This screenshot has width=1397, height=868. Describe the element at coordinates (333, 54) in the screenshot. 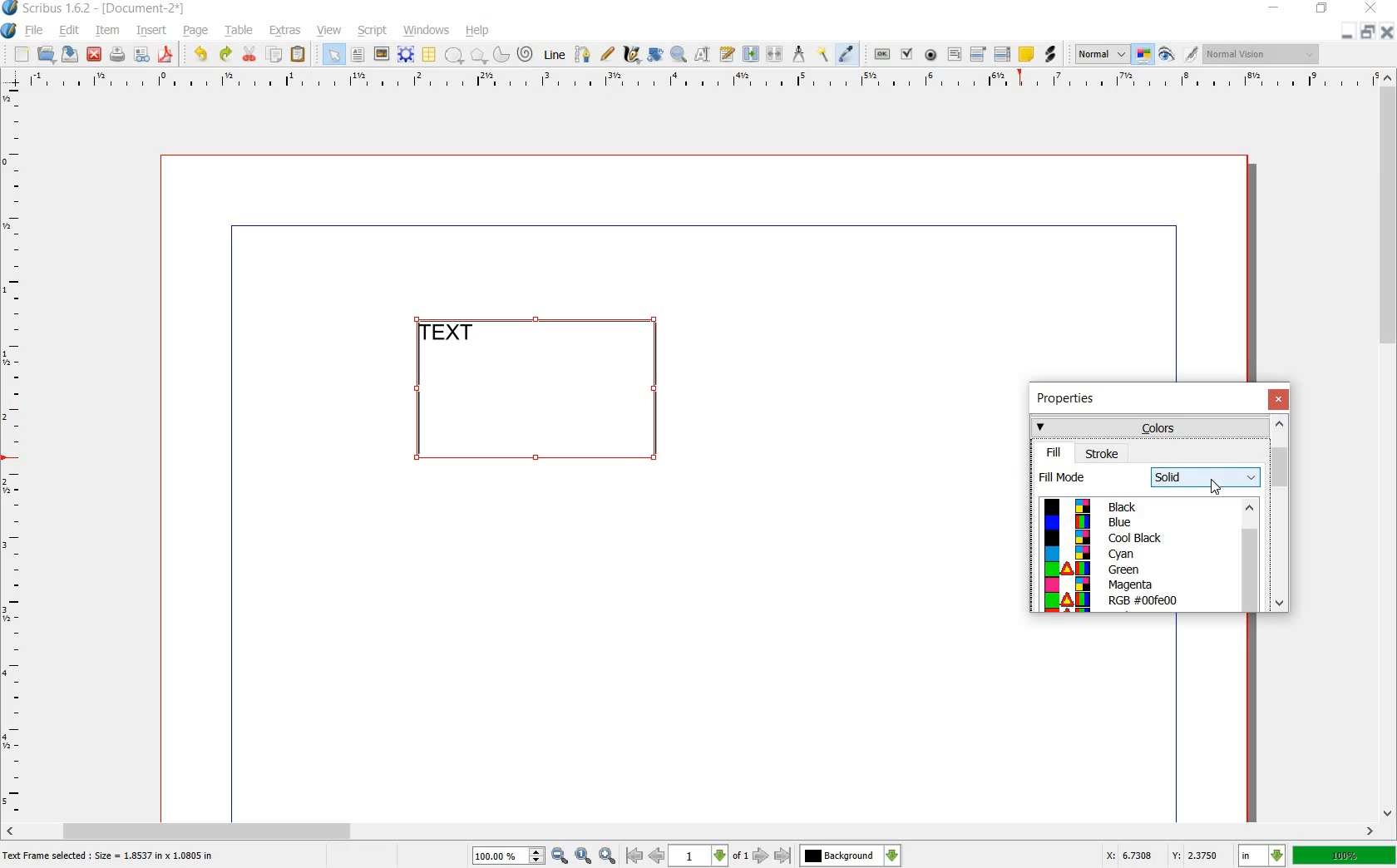

I see `select item` at that location.